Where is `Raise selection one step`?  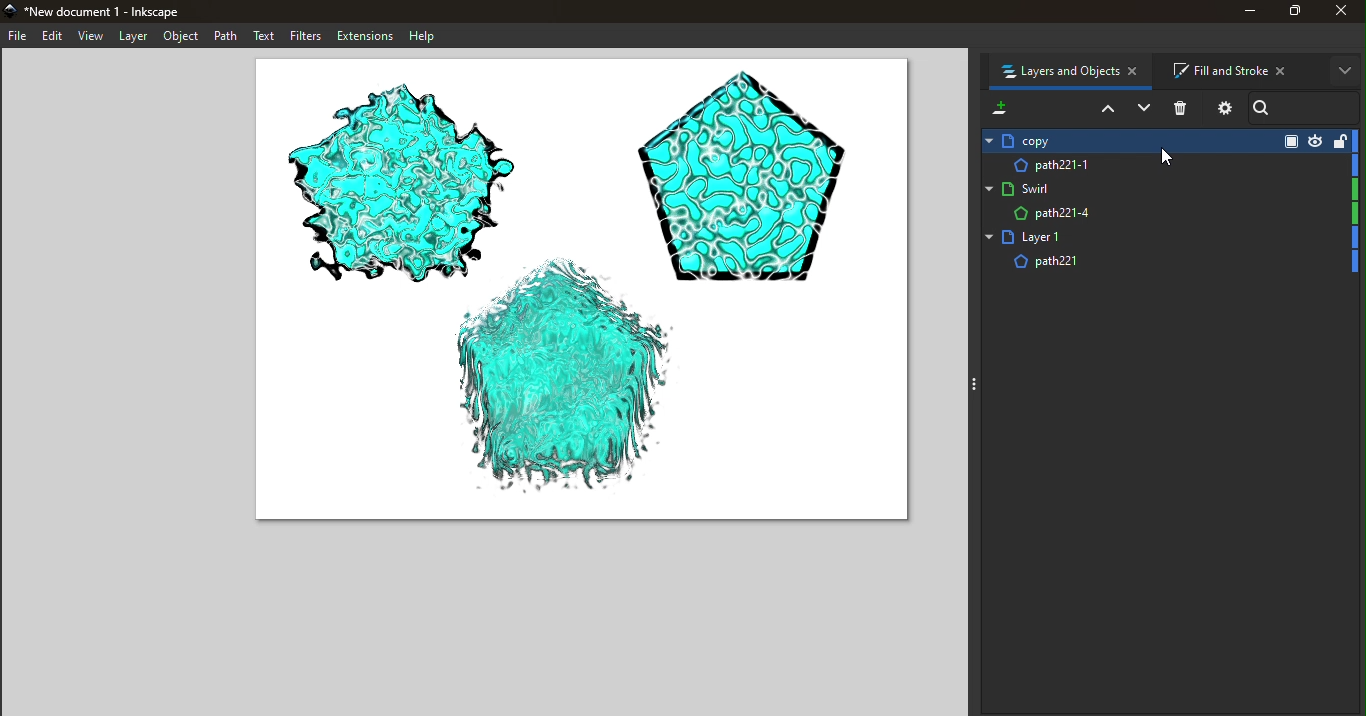 Raise selection one step is located at coordinates (1105, 110).